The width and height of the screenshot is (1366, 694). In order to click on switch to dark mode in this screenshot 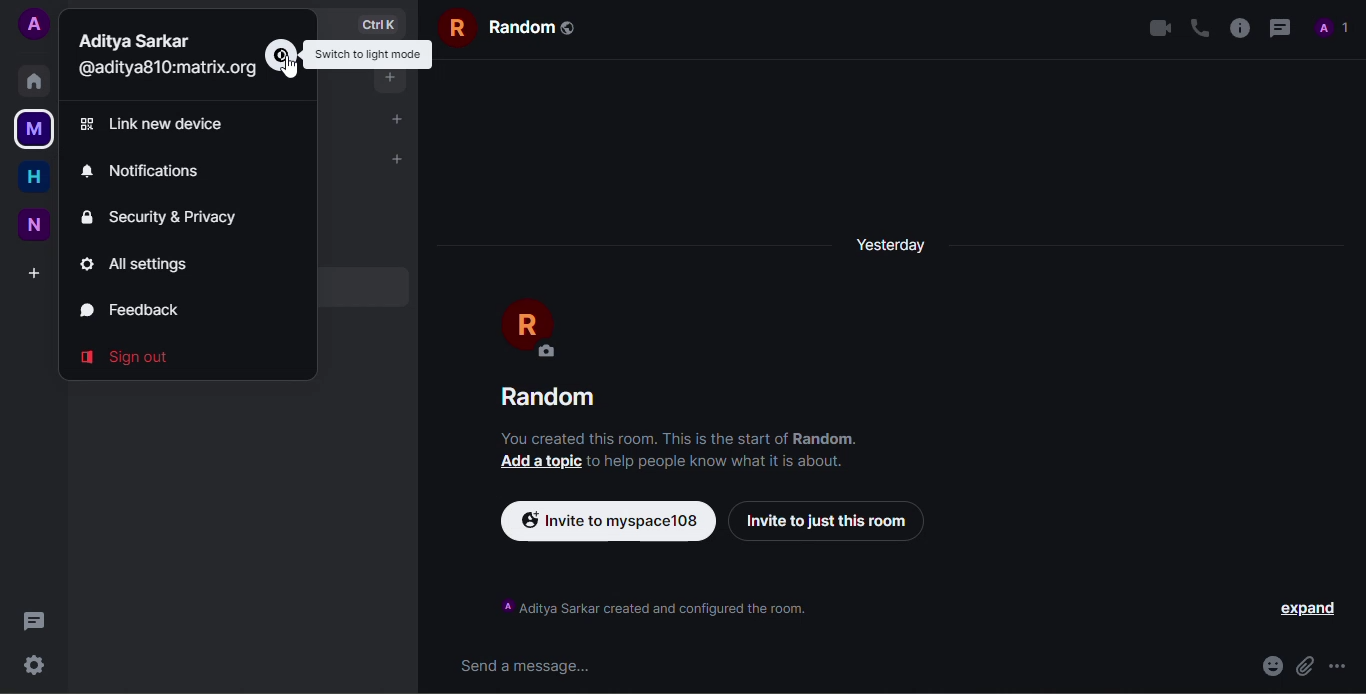, I will do `click(371, 53)`.